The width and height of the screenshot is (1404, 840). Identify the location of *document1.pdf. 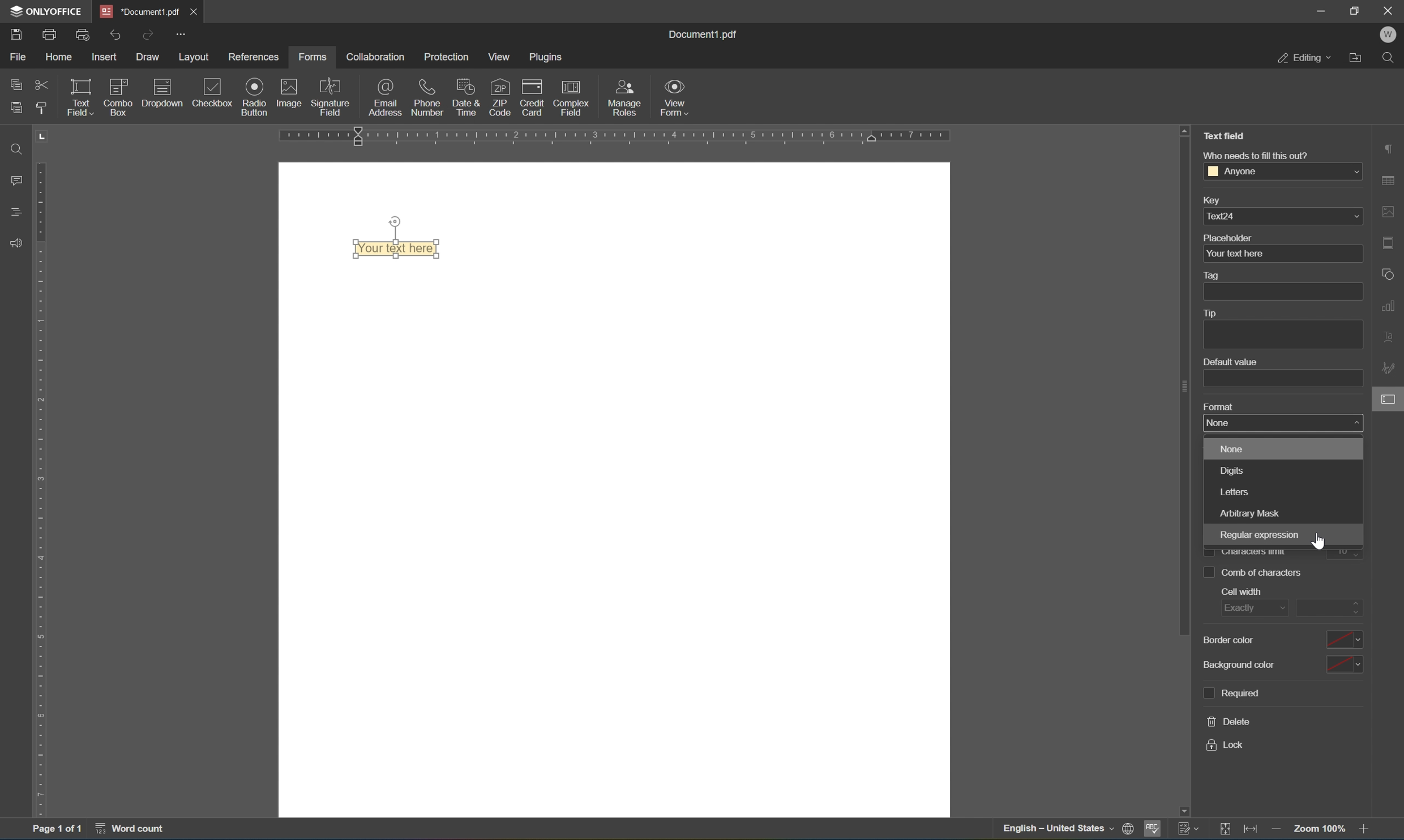
(140, 11).